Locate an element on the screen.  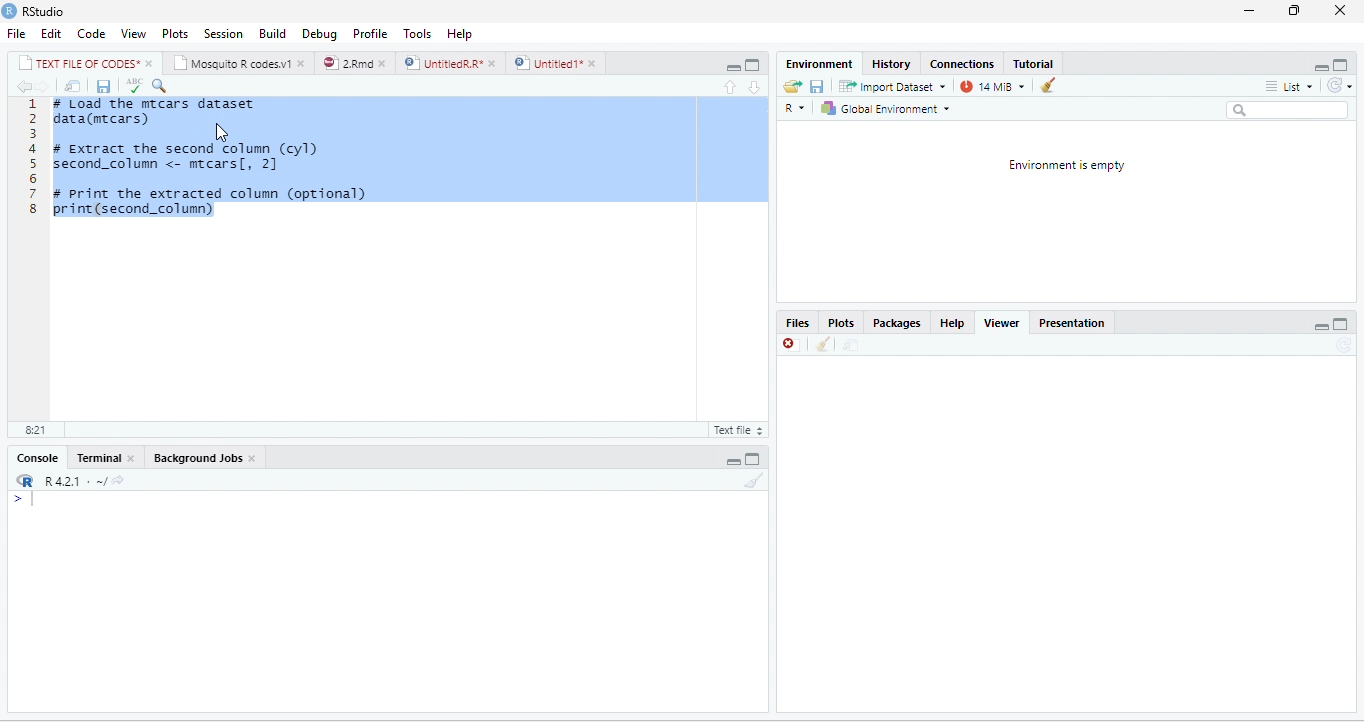
6 is located at coordinates (33, 178).